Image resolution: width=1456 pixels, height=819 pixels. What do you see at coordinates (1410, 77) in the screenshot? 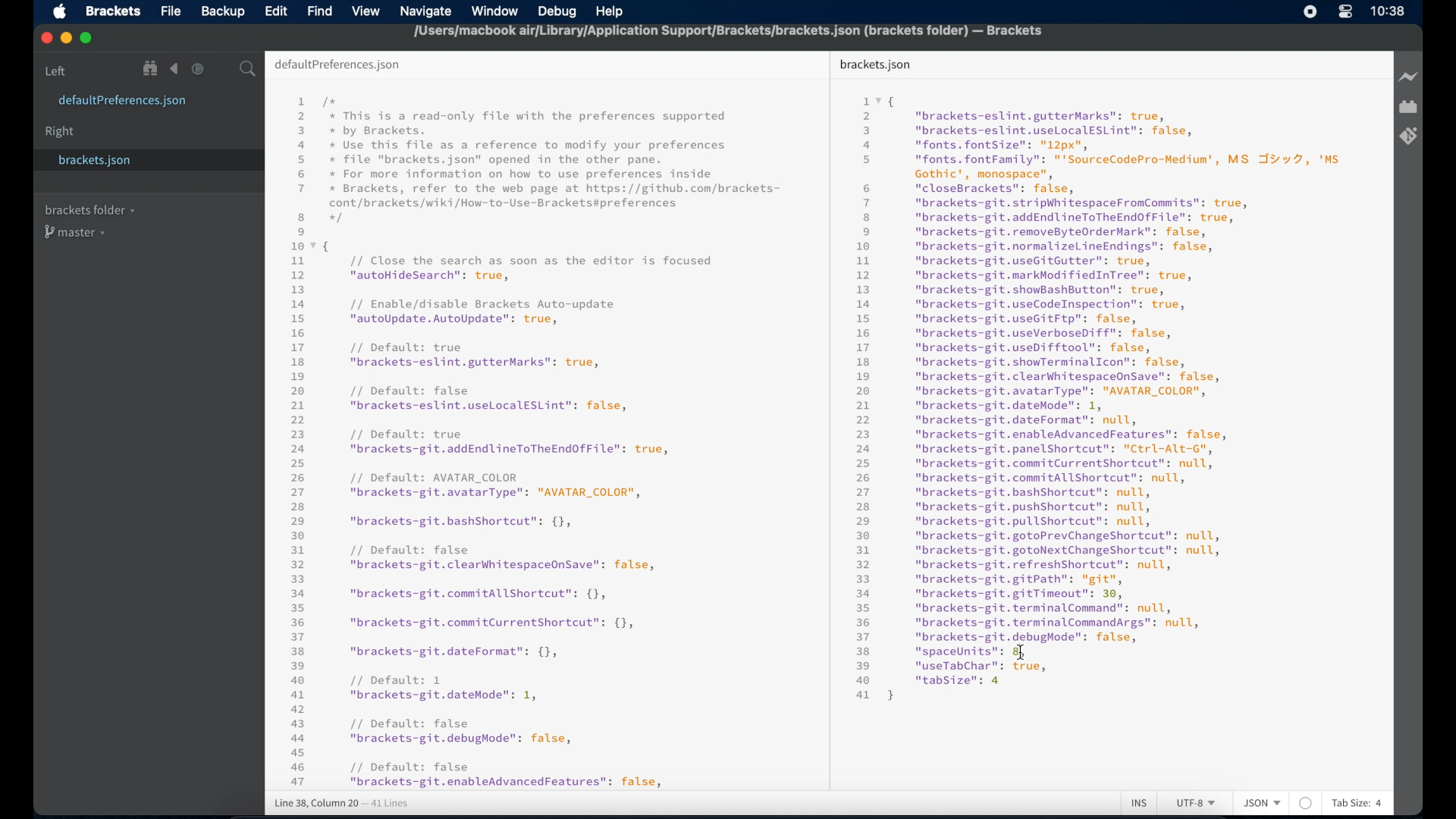
I see `live preview` at bounding box center [1410, 77].